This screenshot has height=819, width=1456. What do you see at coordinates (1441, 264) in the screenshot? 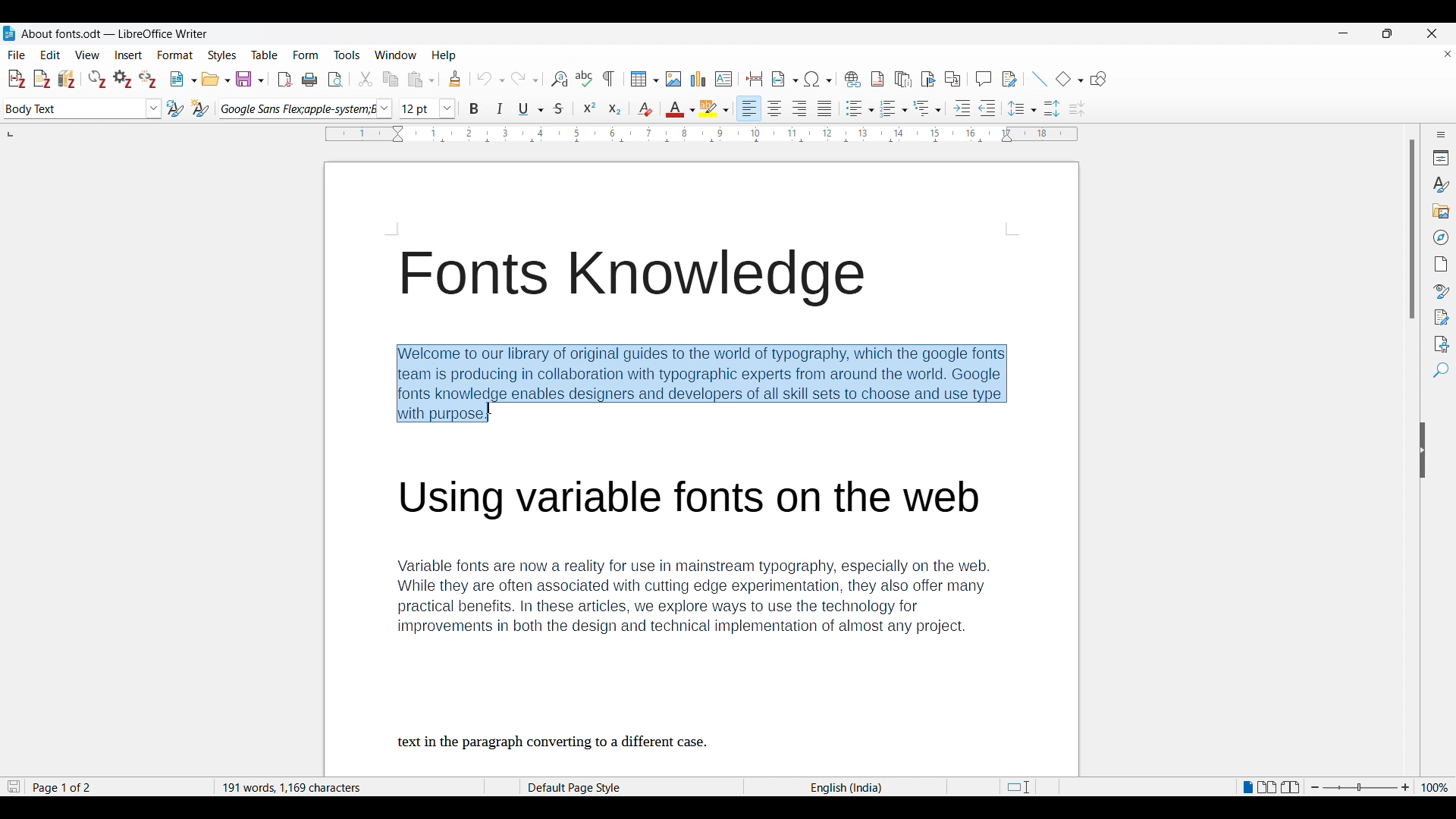
I see `Page` at bounding box center [1441, 264].